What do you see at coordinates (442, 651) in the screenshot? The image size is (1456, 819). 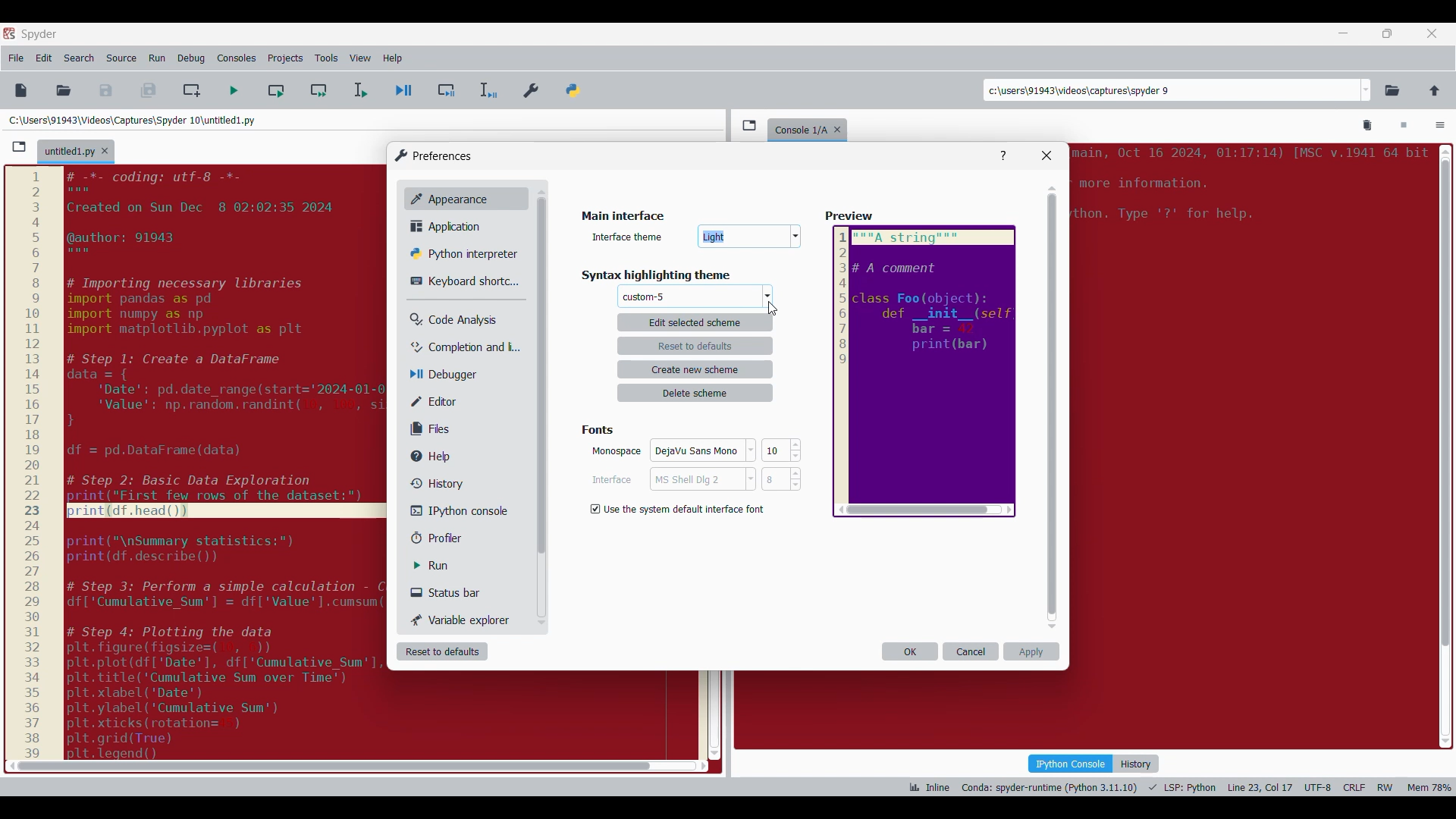 I see `Reset to defaults` at bounding box center [442, 651].